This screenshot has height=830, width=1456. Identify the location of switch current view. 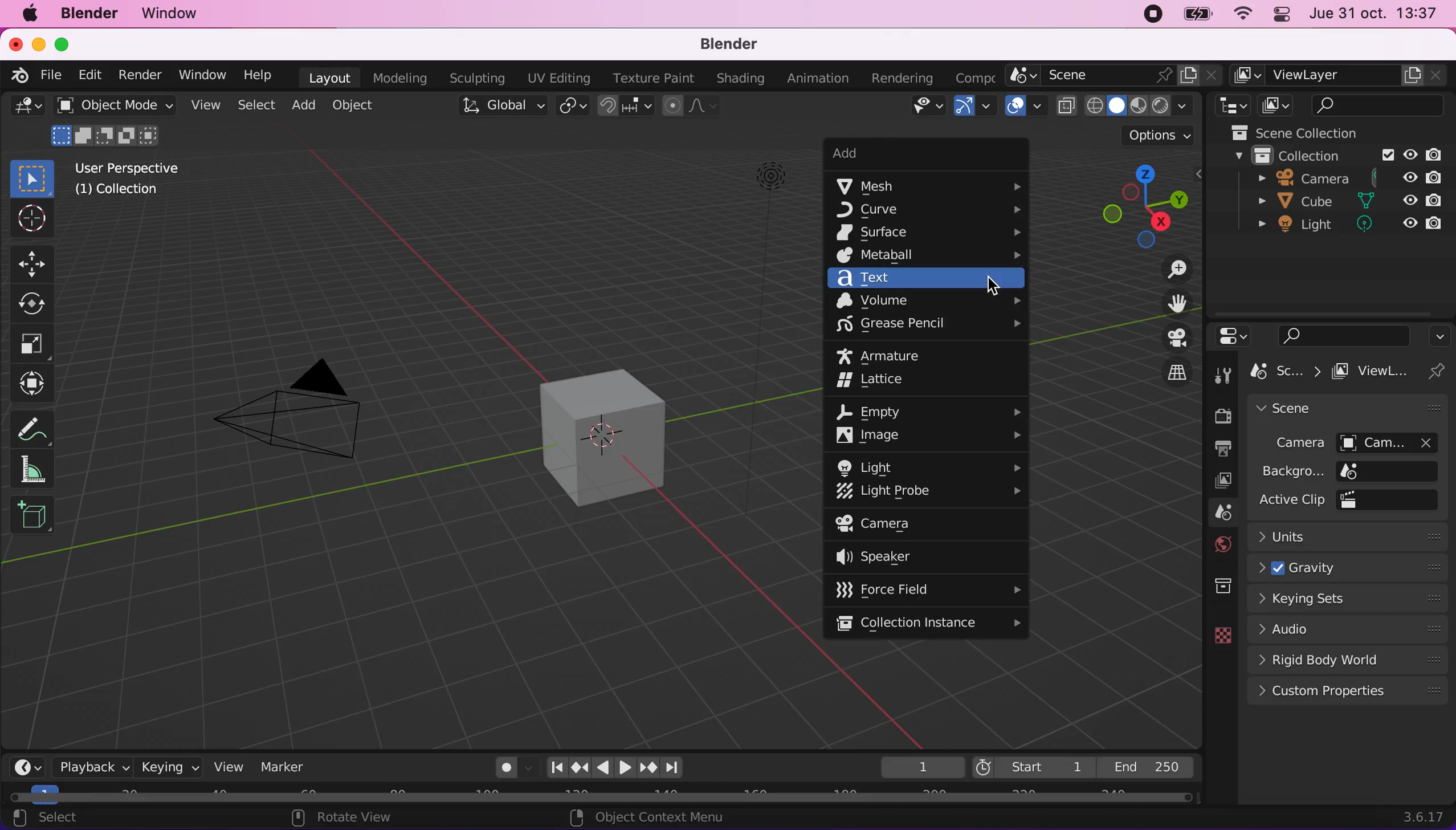
(1168, 369).